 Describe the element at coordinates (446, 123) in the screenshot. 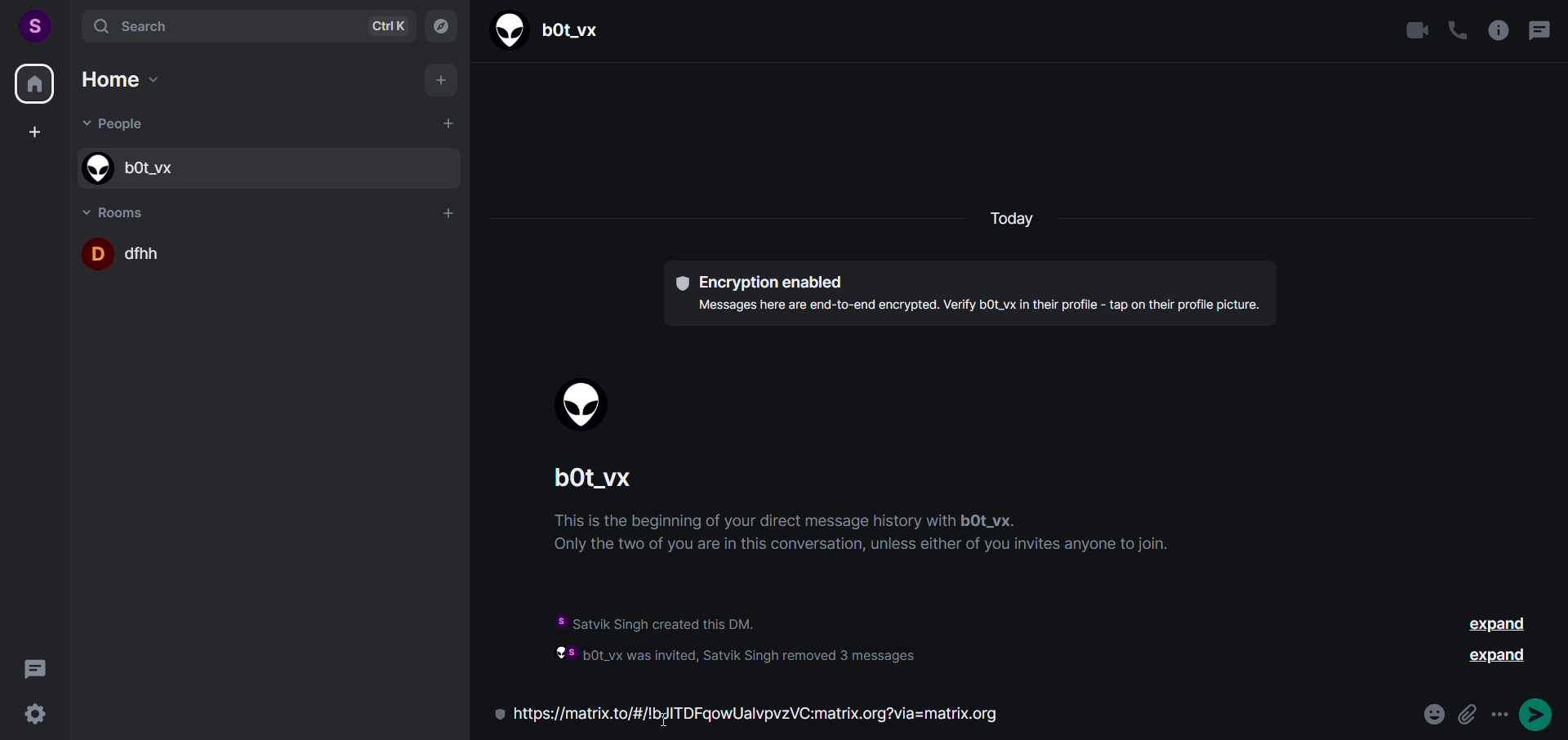

I see `add people` at that location.